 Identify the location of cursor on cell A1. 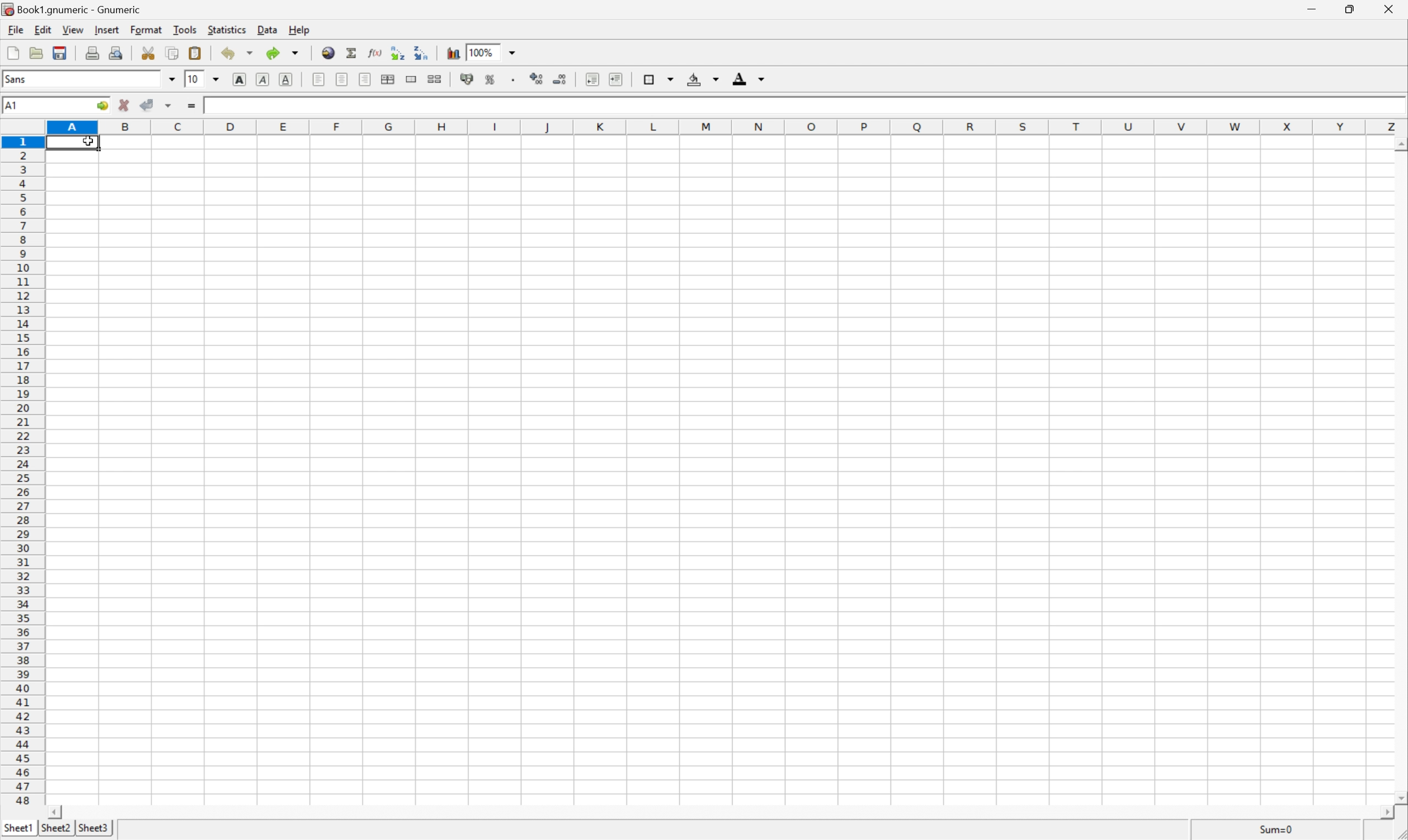
(90, 140).